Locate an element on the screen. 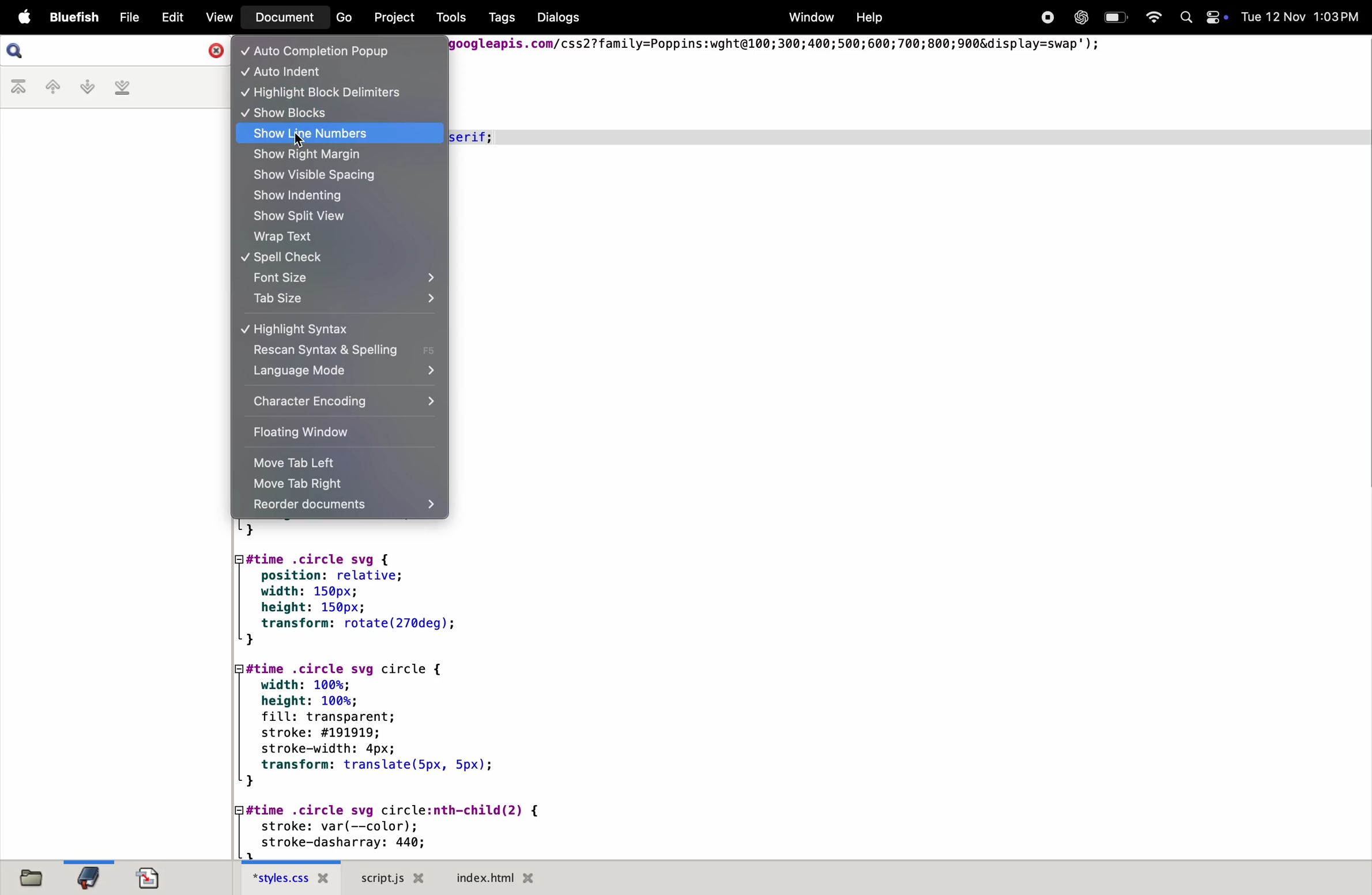 The width and height of the screenshot is (1372, 895). Tags is located at coordinates (497, 18).